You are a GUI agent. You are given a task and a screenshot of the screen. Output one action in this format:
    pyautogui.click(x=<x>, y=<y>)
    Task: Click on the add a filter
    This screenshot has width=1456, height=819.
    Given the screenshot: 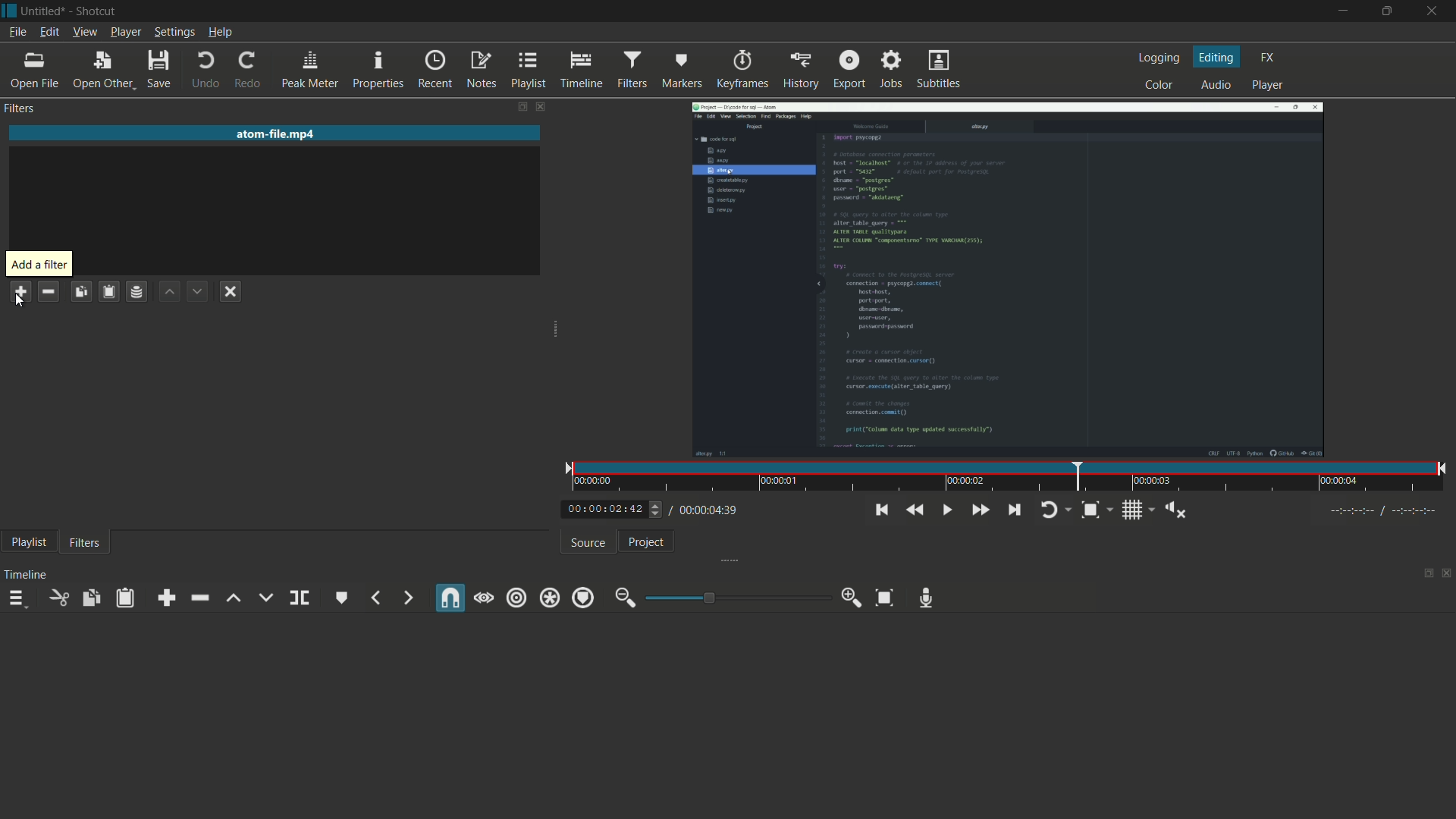 What is the action you would take?
    pyautogui.click(x=39, y=264)
    